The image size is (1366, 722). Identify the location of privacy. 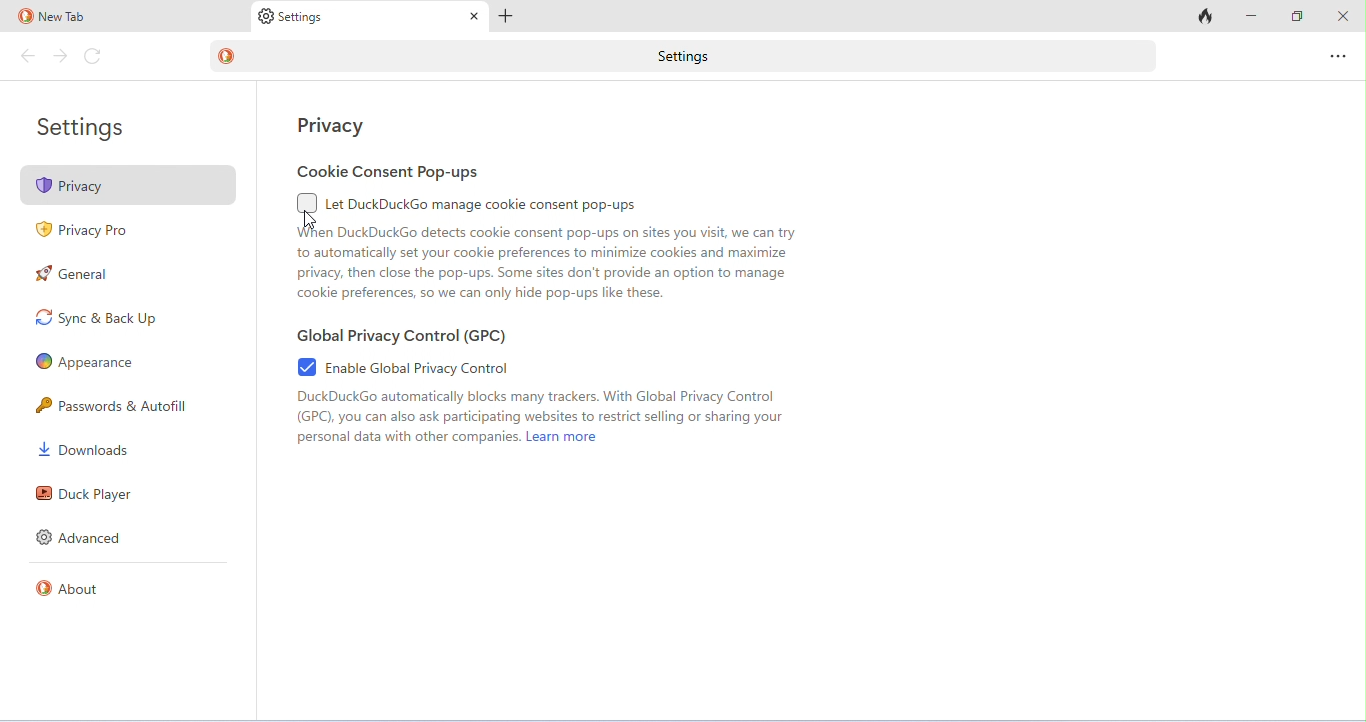
(129, 184).